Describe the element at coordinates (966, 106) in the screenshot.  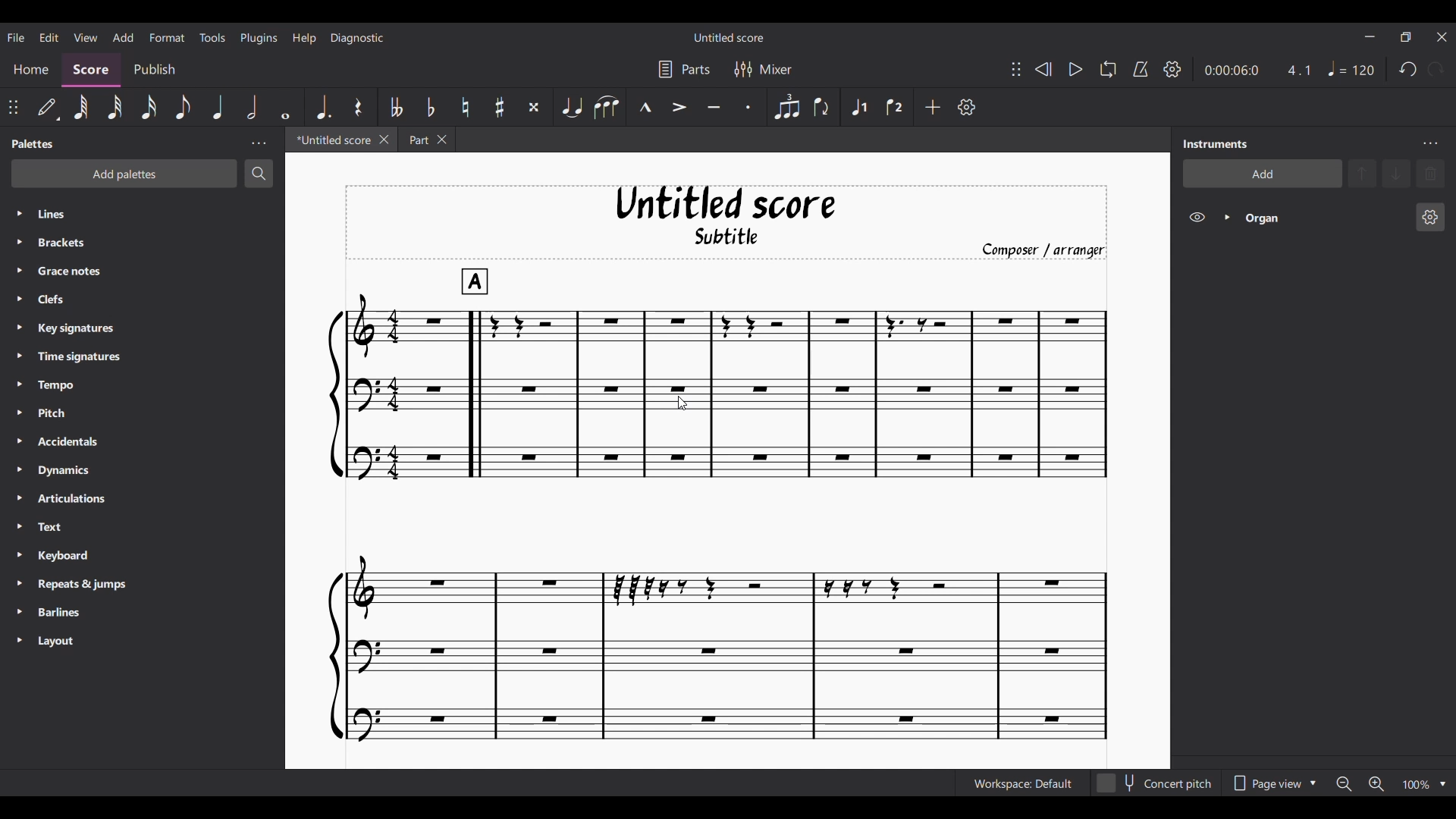
I see `Customize tools` at that location.